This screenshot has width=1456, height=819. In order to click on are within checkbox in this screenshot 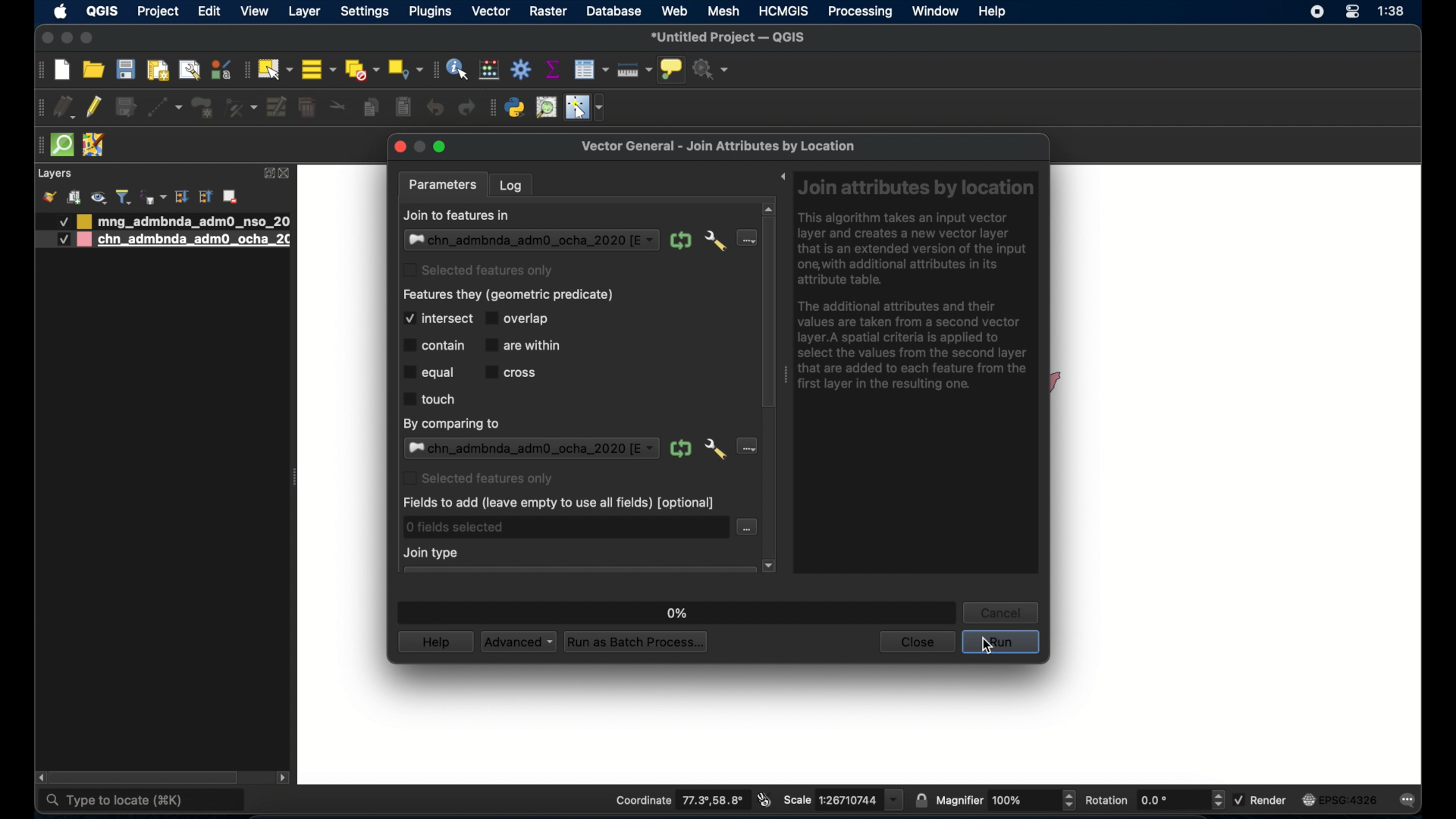, I will do `click(525, 344)`.